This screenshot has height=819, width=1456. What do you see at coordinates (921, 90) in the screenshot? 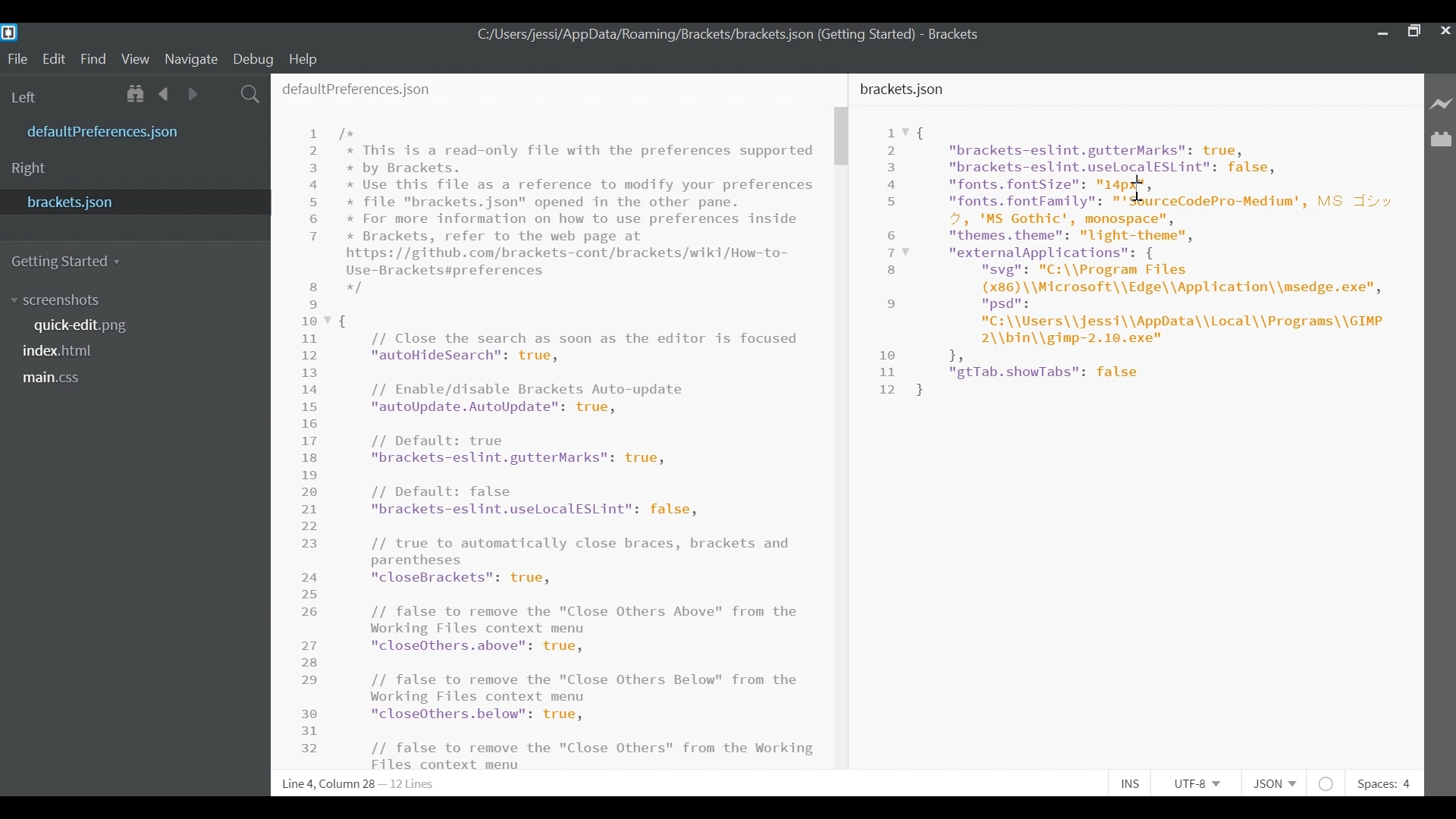
I see `brackets.json ` at bounding box center [921, 90].